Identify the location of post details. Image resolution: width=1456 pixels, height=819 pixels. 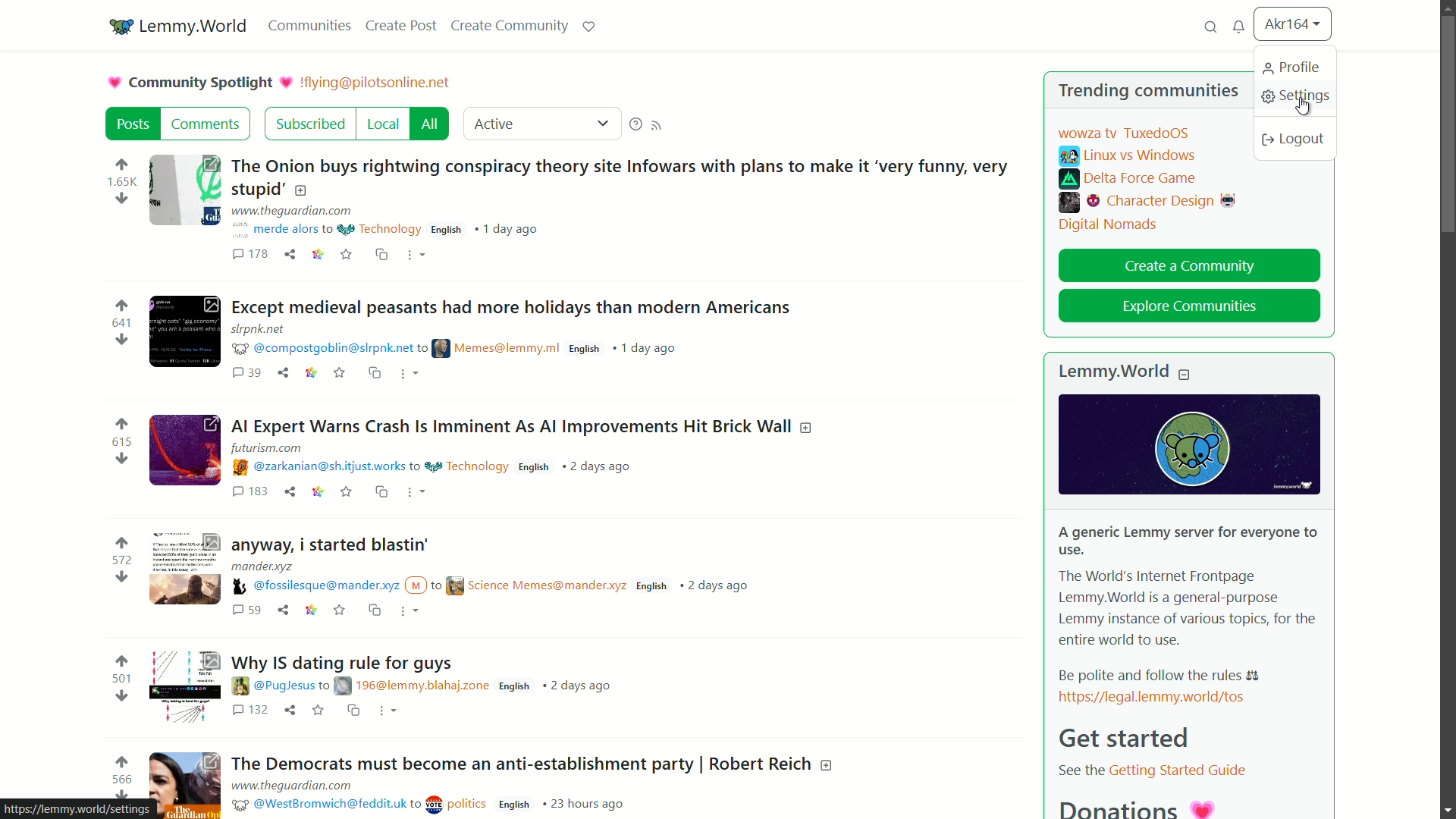
(469, 798).